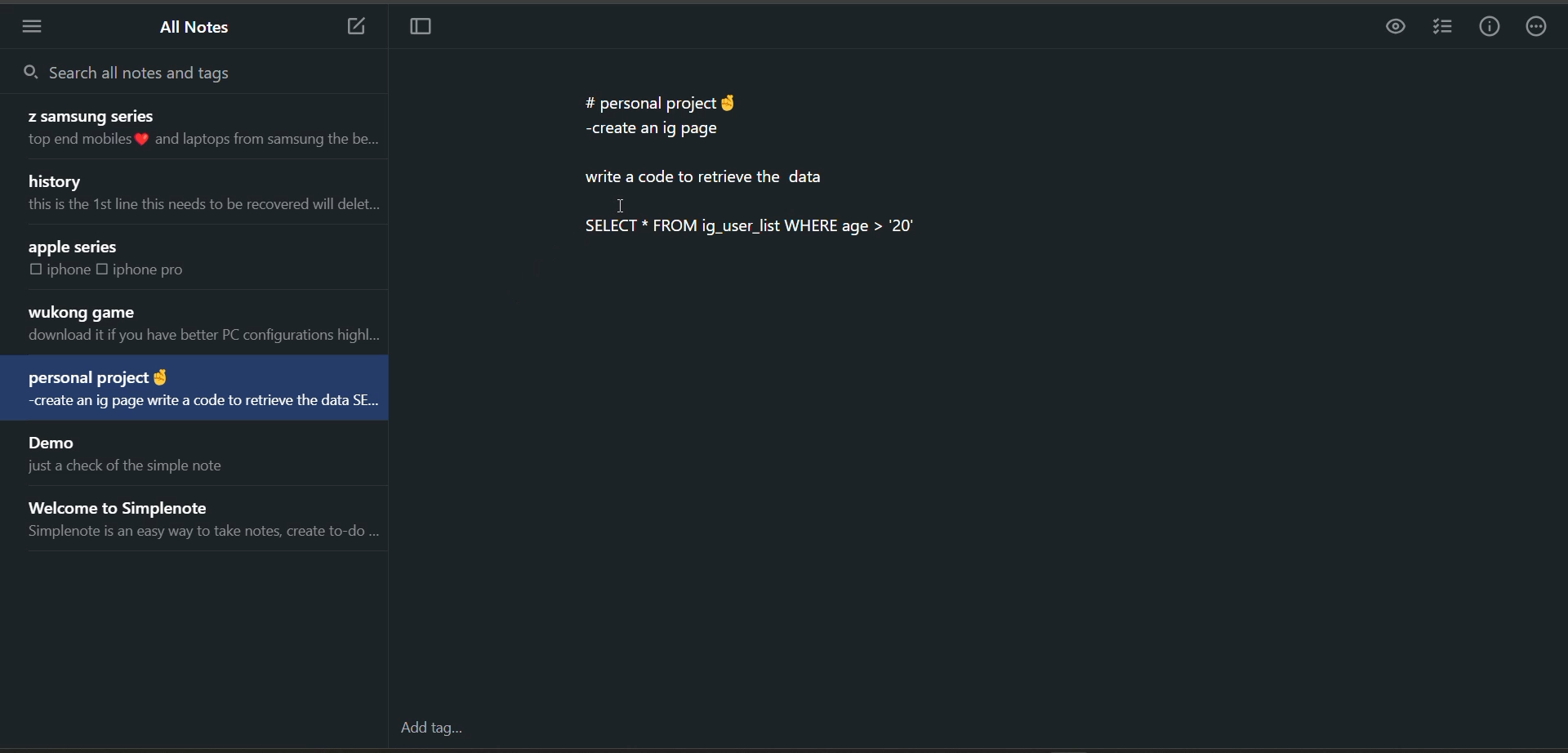 The image size is (1568, 753). Describe the element at coordinates (1539, 29) in the screenshot. I see `actions` at that location.